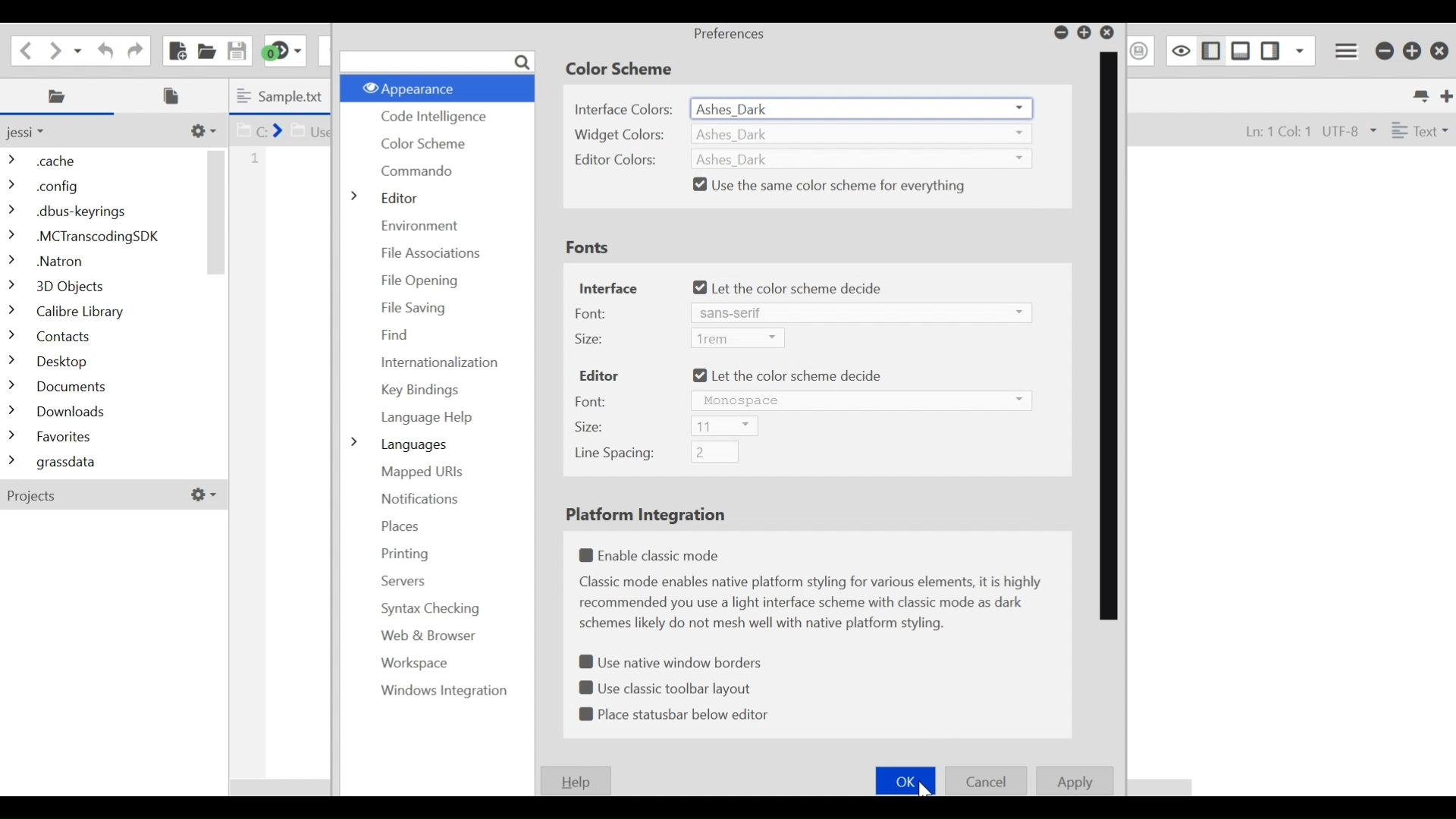  Describe the element at coordinates (102, 313) in the screenshot. I see `Folders` at that location.